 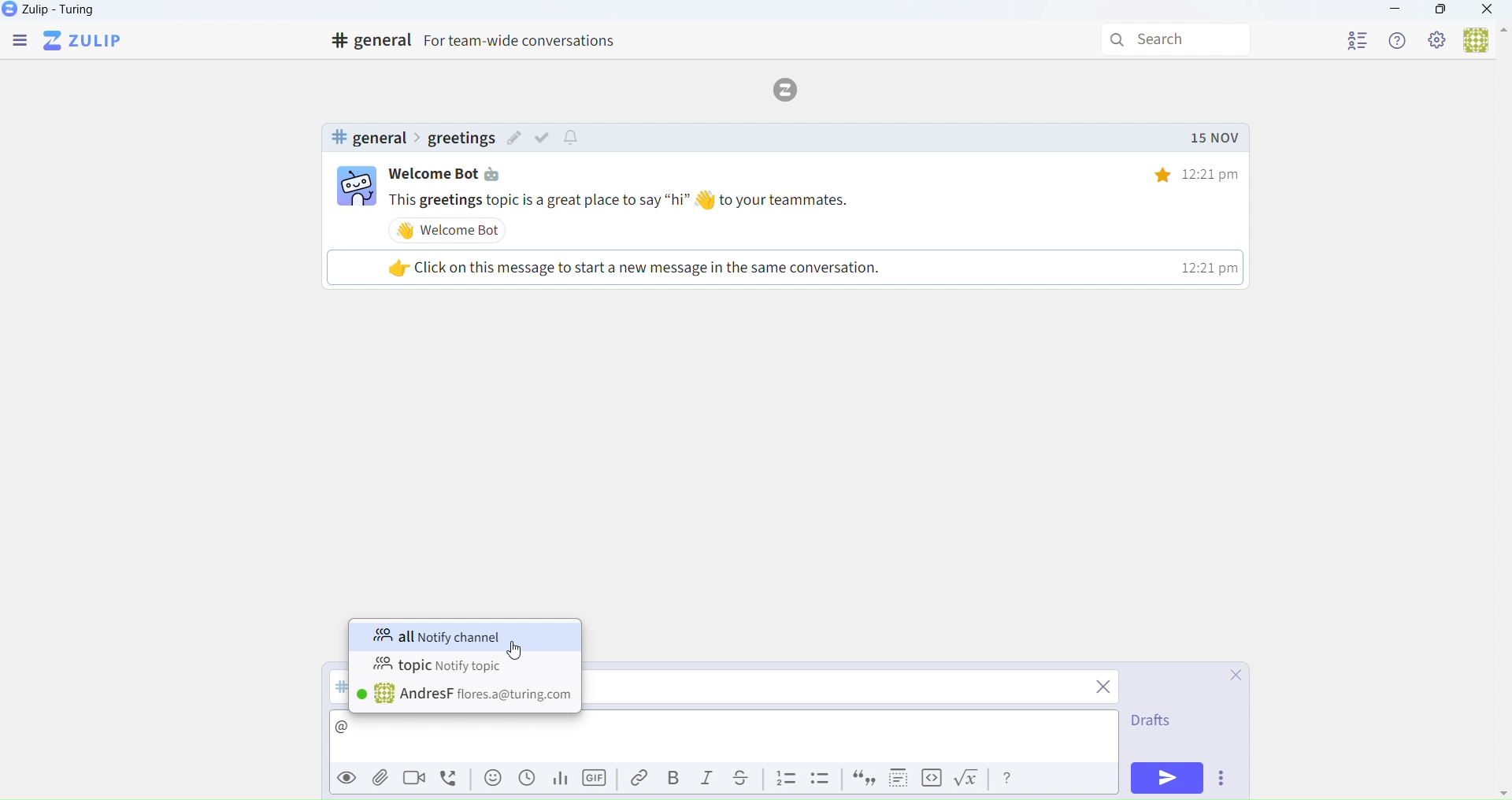 I want to click on Emoji, so click(x=491, y=782).